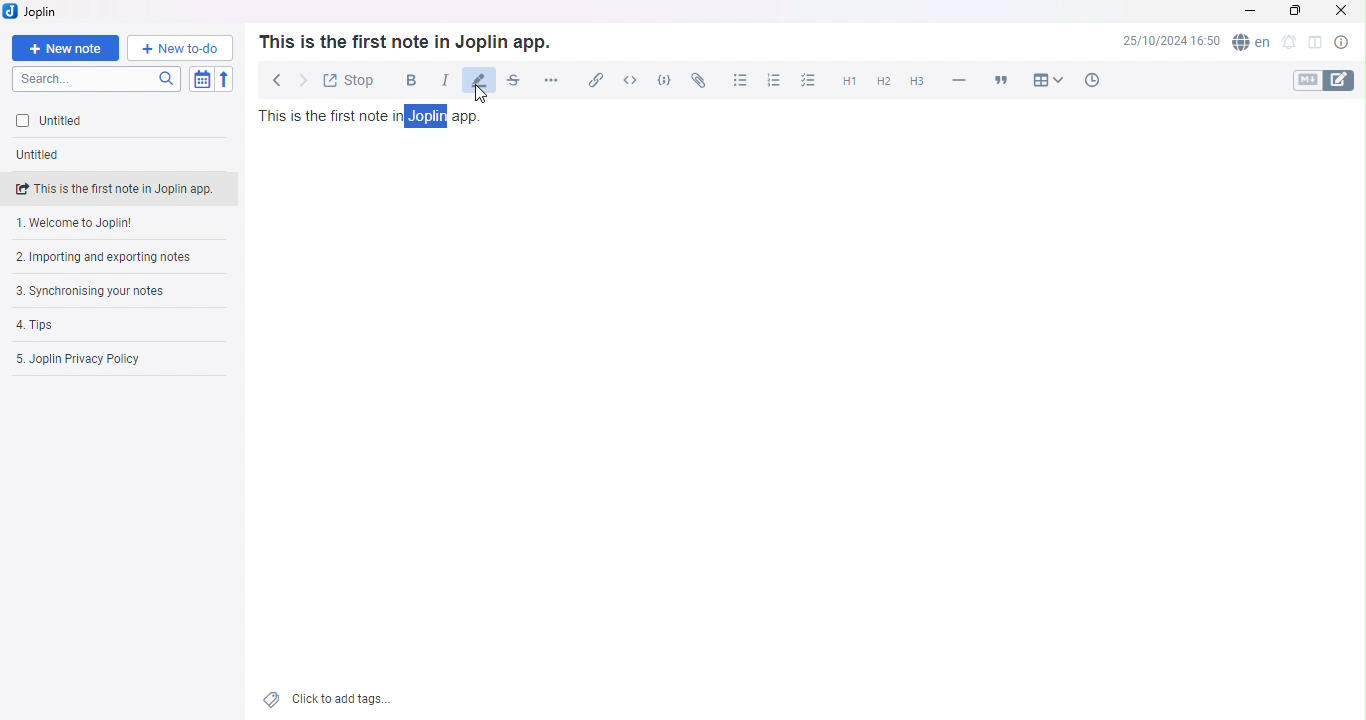  What do you see at coordinates (959, 80) in the screenshot?
I see `Horizontal line` at bounding box center [959, 80].